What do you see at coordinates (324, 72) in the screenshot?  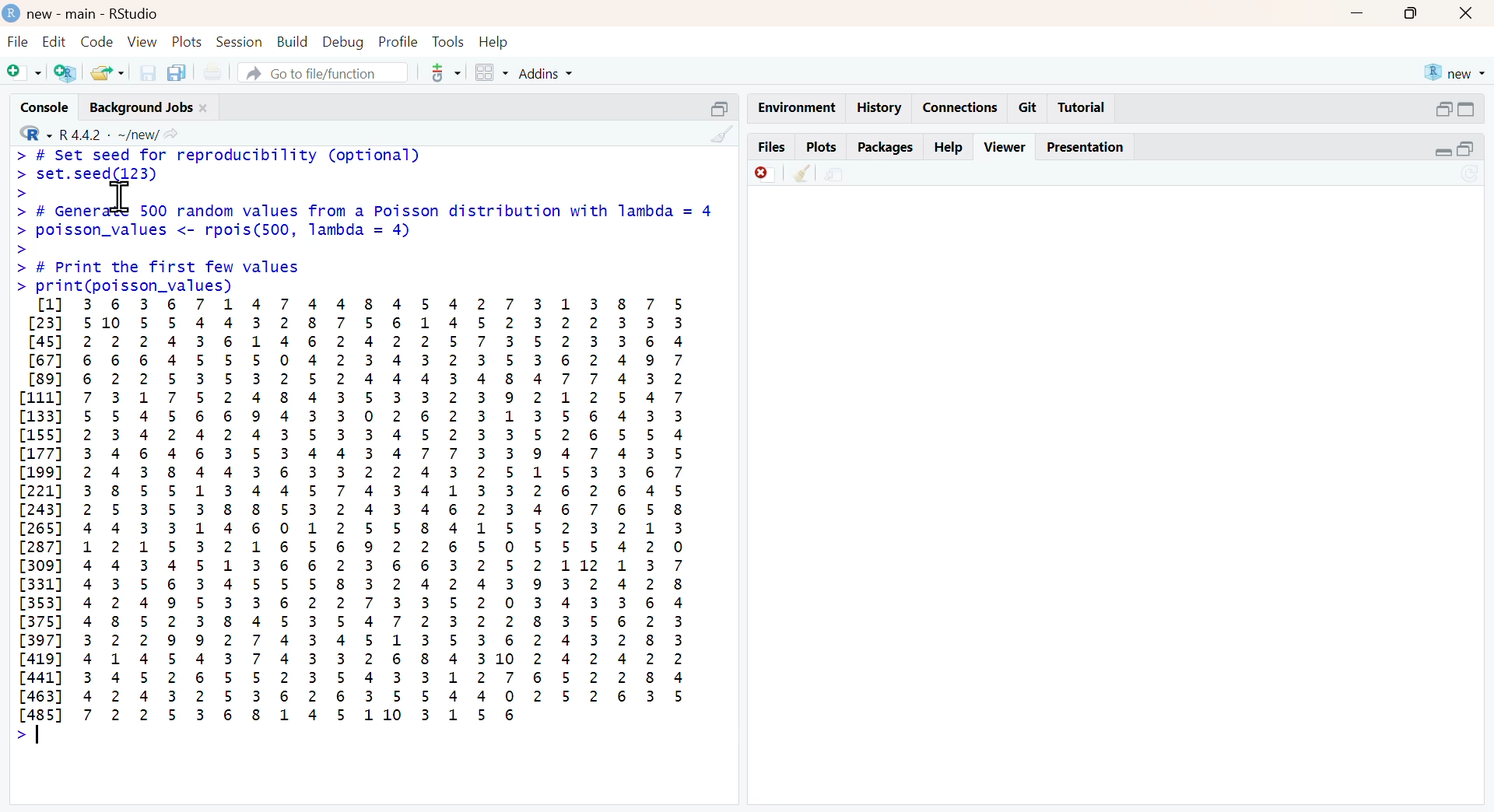 I see `go to file/function` at bounding box center [324, 72].